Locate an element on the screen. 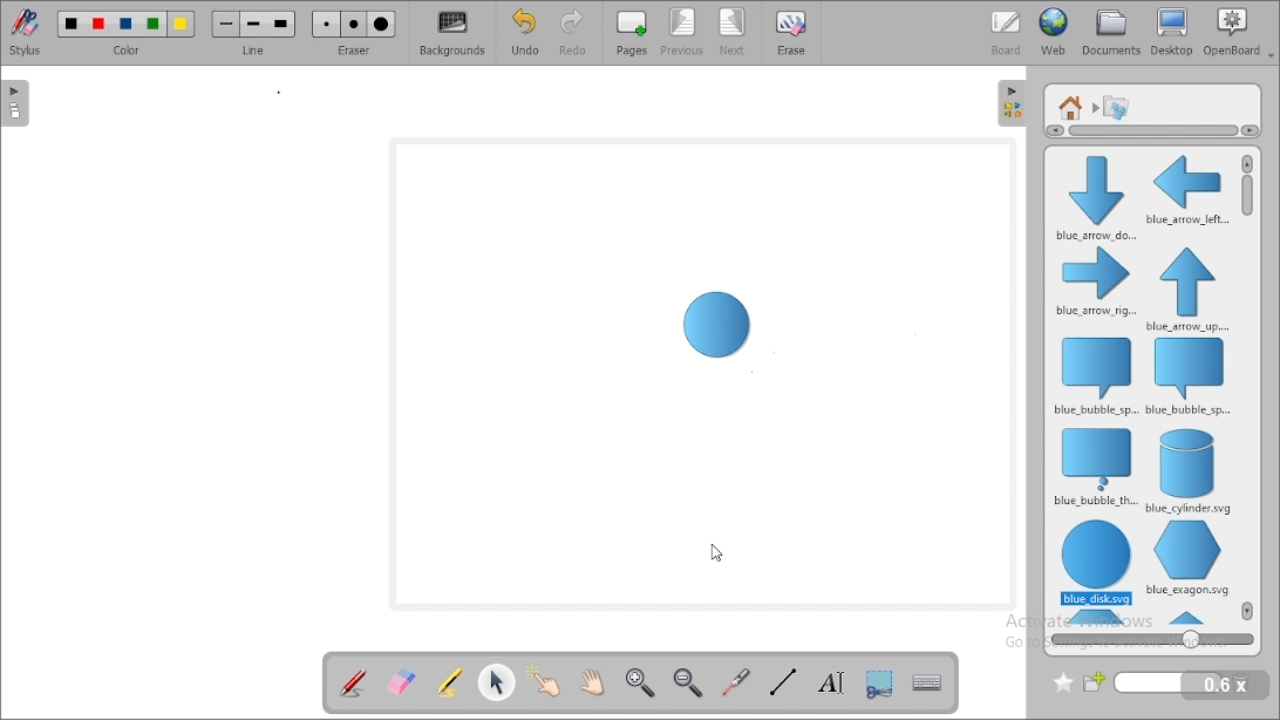 This screenshot has width=1280, height=720. pages is located at coordinates (631, 33).